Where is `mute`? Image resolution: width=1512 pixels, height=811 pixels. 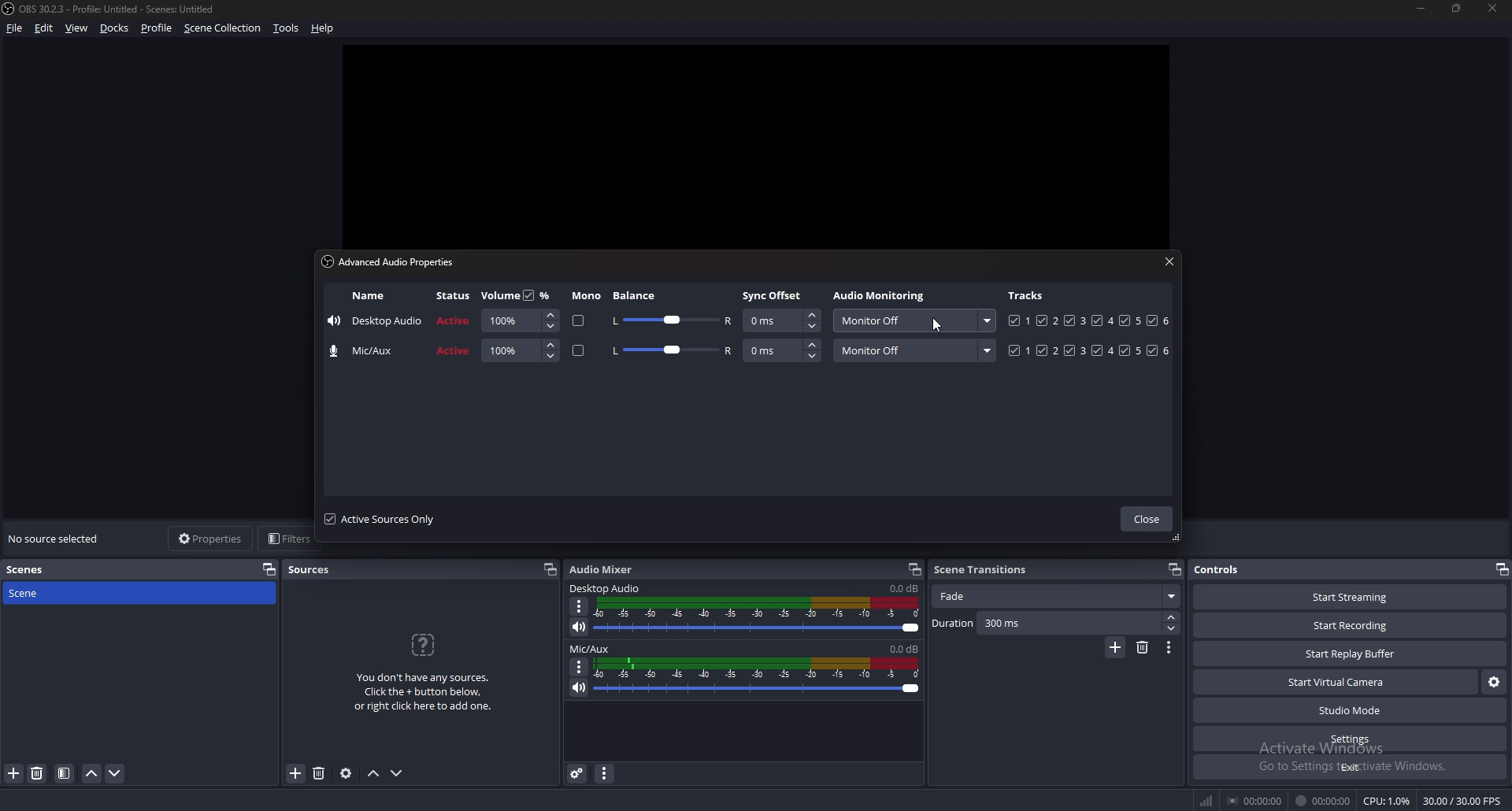 mute is located at coordinates (580, 628).